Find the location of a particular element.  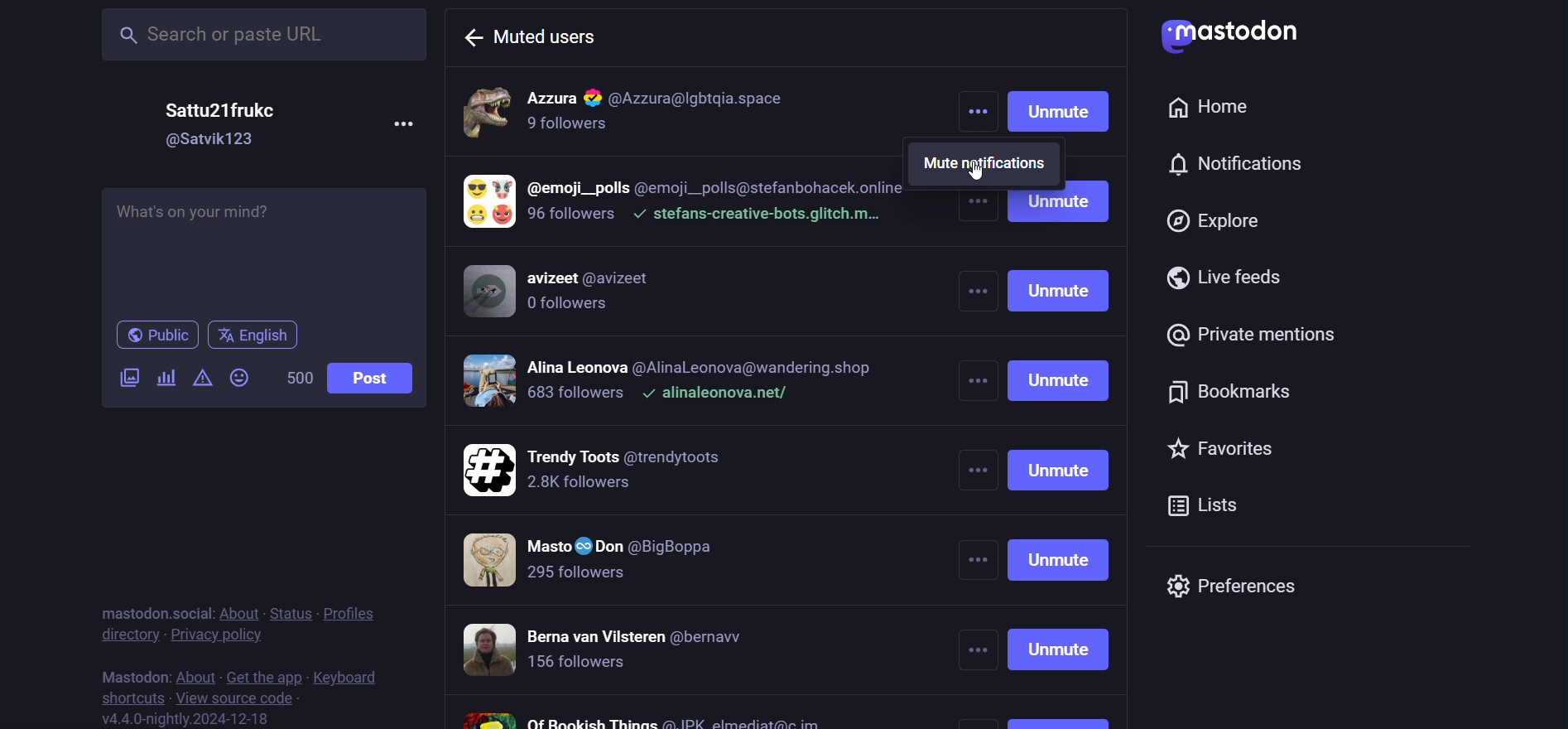

live feed is located at coordinates (1227, 277).